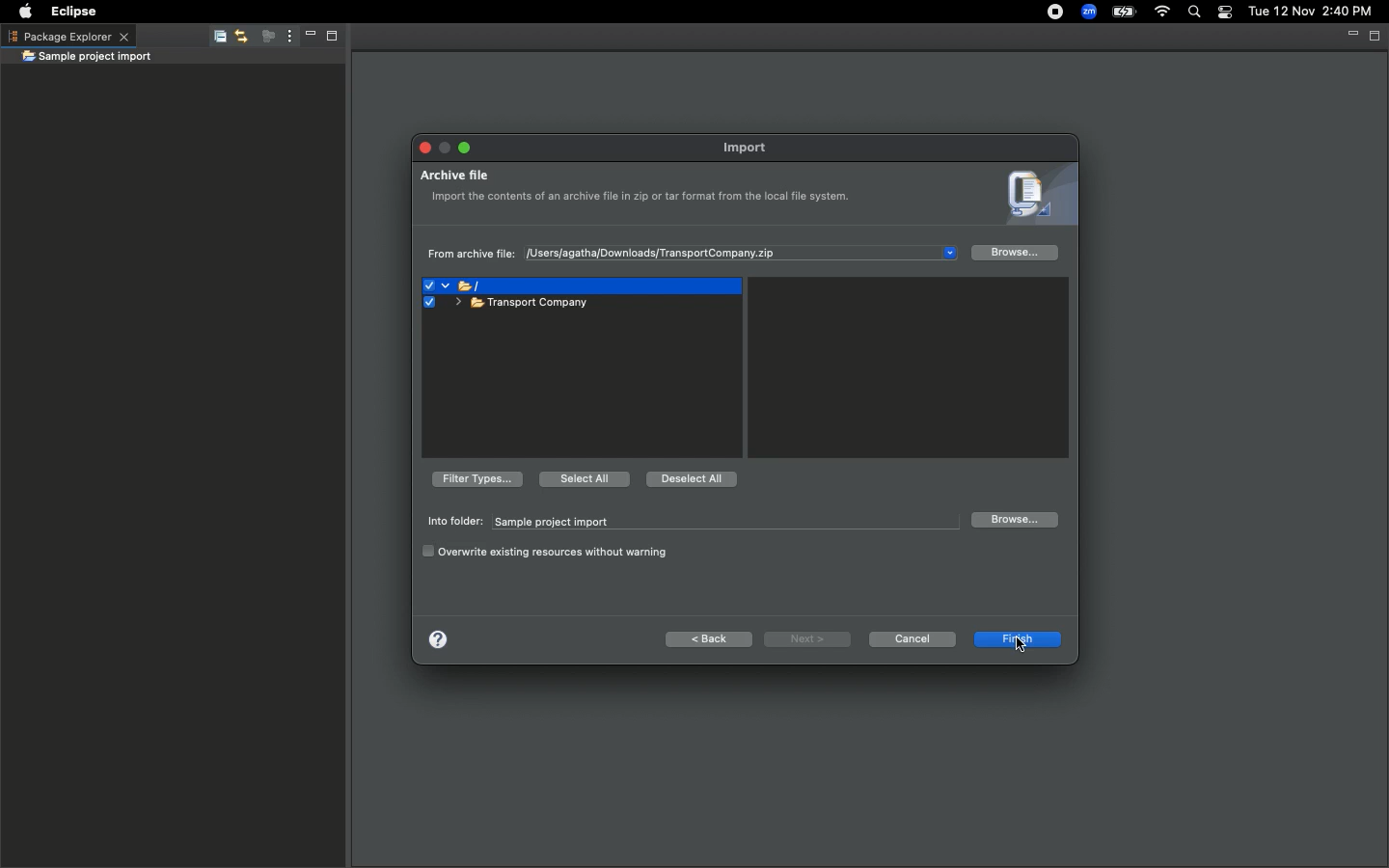 This screenshot has width=1389, height=868. What do you see at coordinates (687, 522) in the screenshot?
I see `Into folder: Sample project import` at bounding box center [687, 522].